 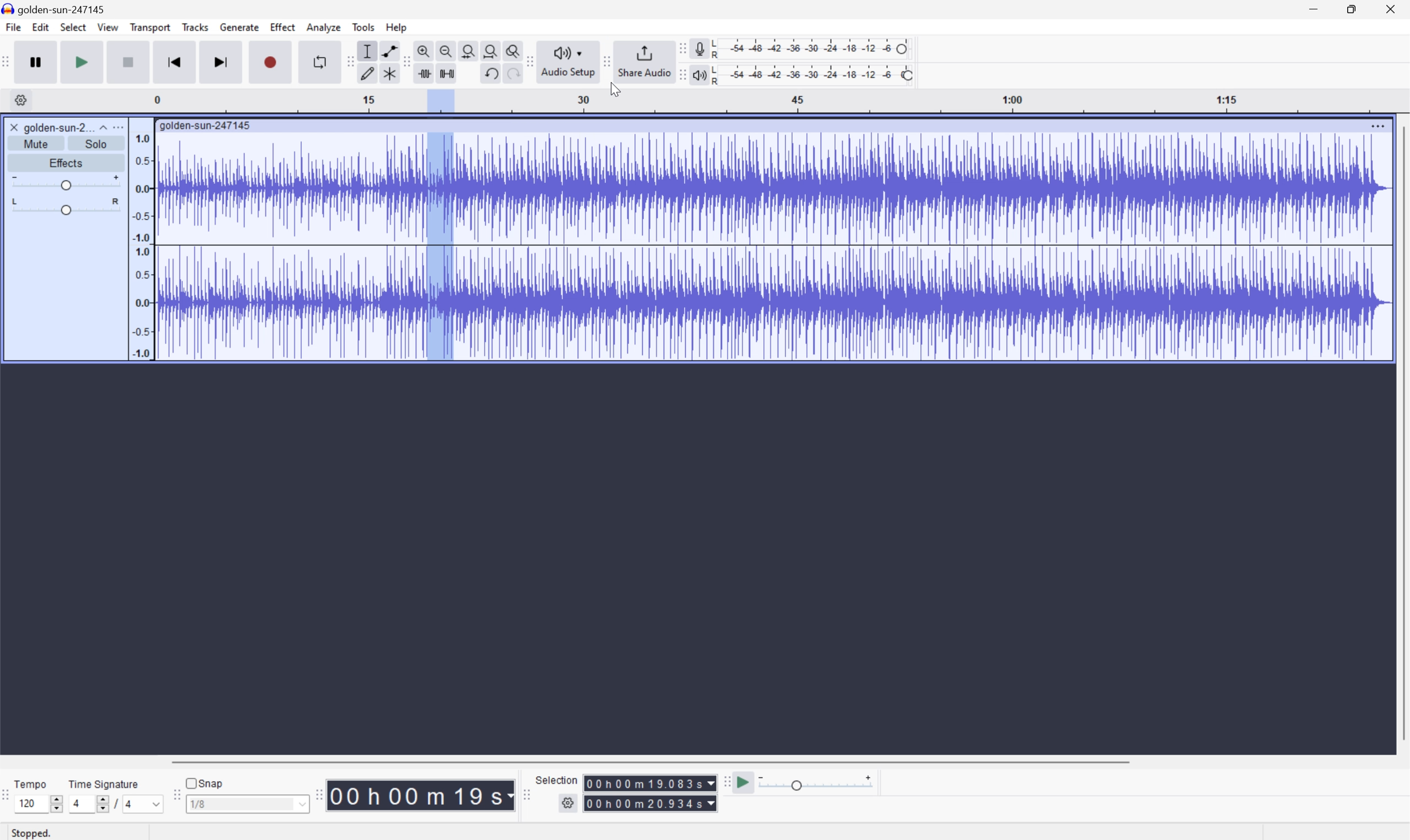 What do you see at coordinates (109, 29) in the screenshot?
I see `View` at bounding box center [109, 29].